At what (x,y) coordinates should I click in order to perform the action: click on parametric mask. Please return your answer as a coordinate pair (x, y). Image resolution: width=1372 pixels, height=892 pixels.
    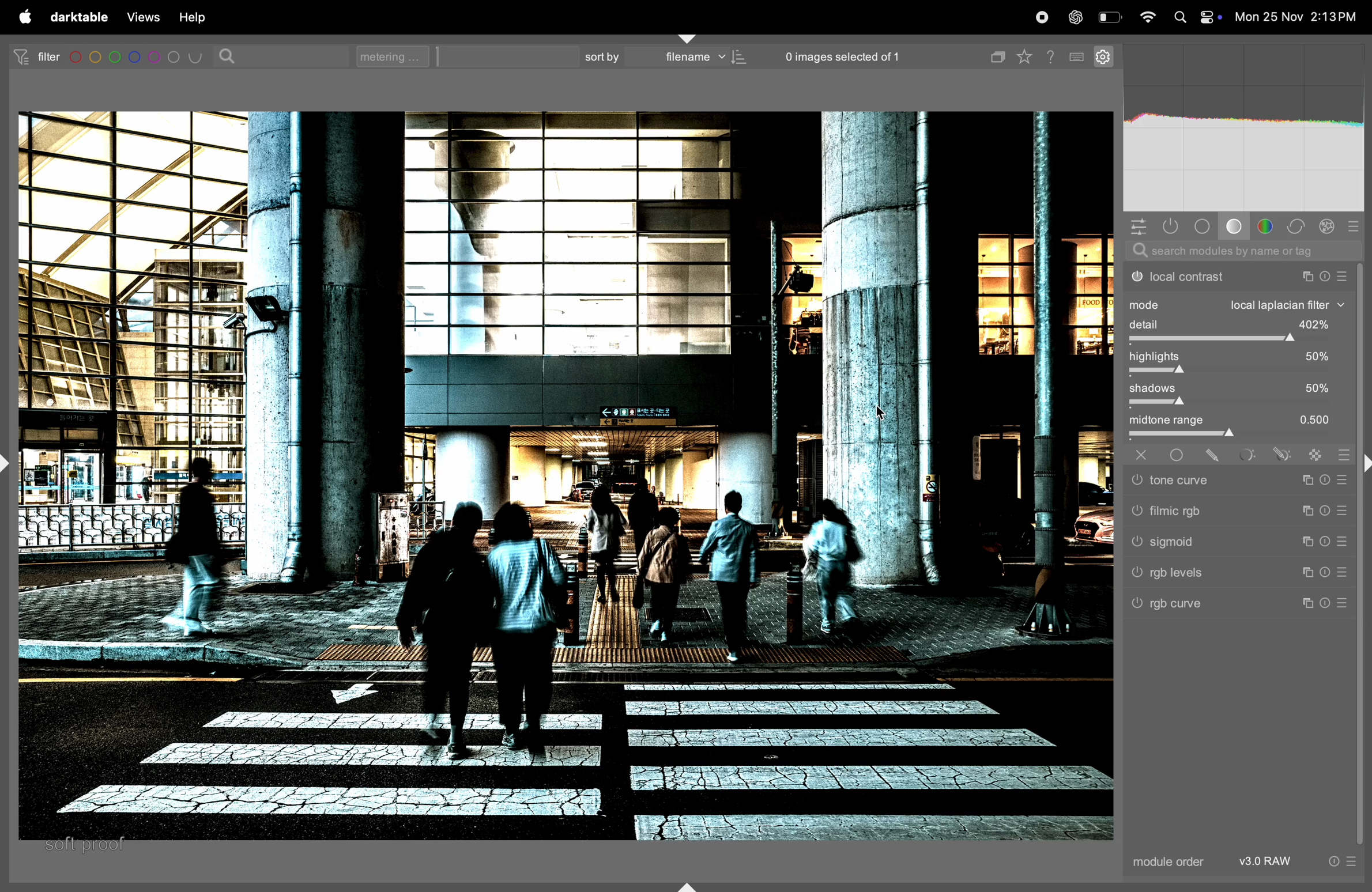
    Looking at the image, I should click on (1249, 455).